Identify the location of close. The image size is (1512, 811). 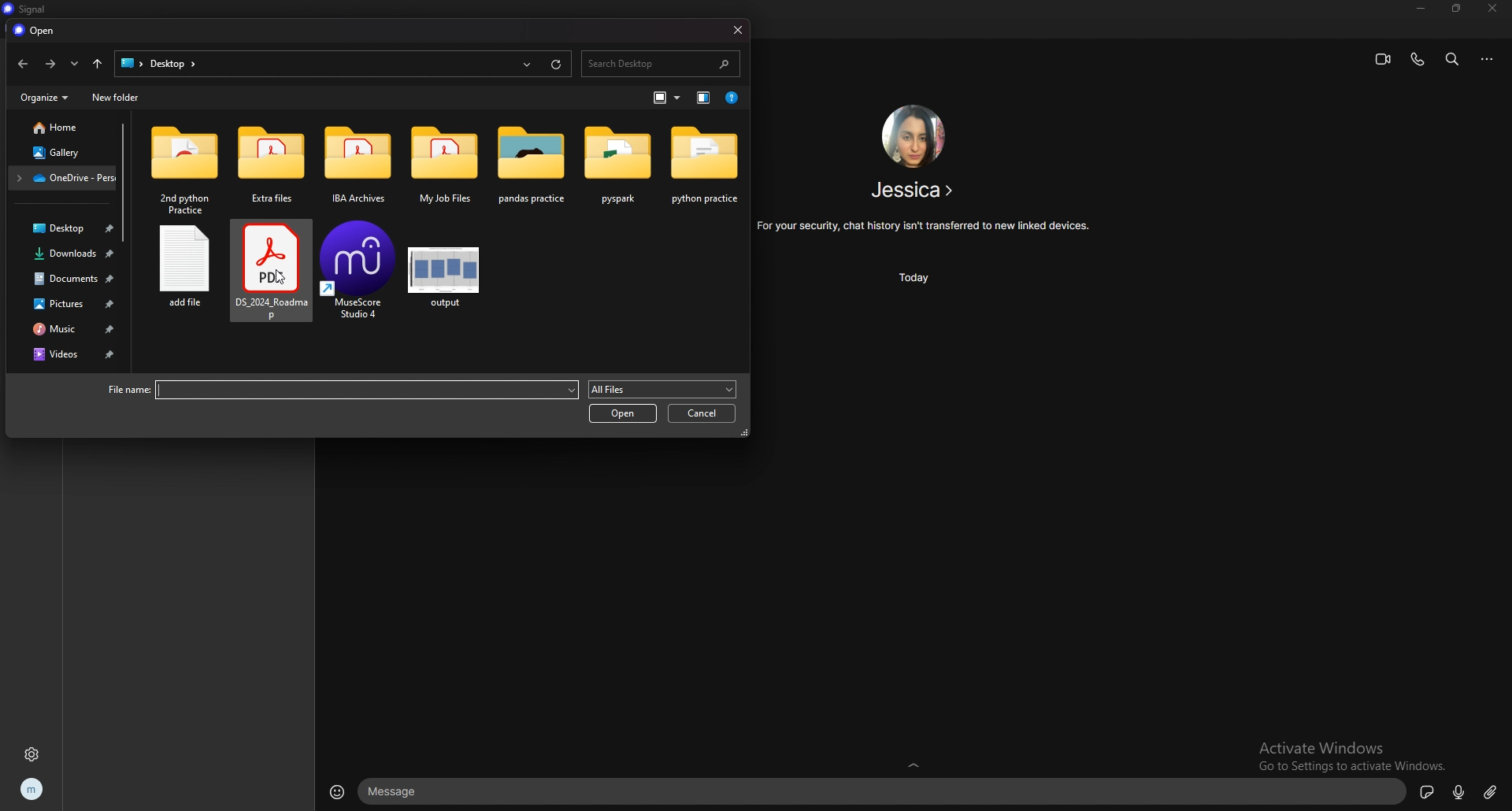
(736, 29).